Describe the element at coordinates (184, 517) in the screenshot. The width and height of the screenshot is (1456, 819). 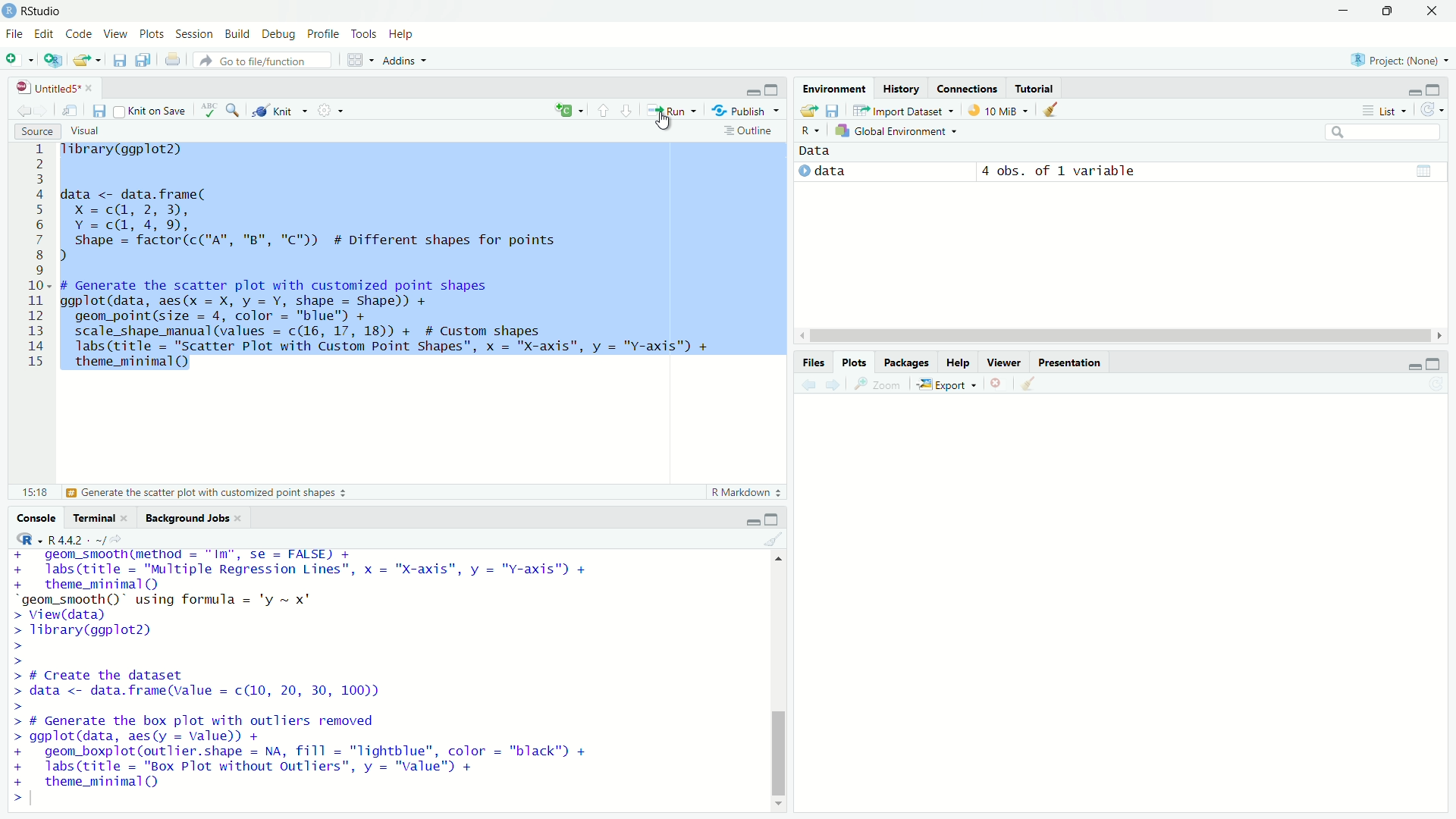
I see `Background Jobs` at that location.